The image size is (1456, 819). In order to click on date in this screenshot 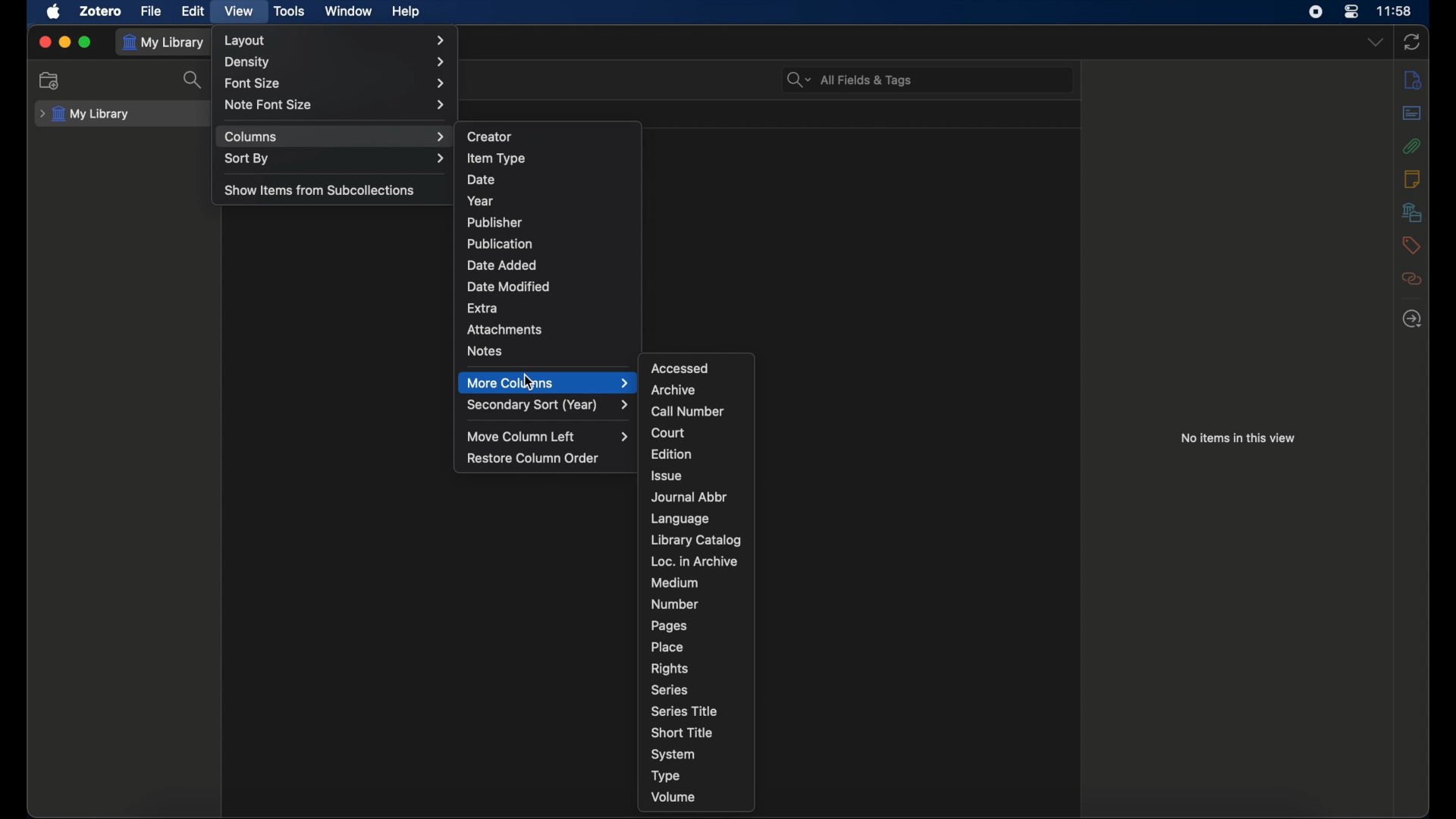, I will do `click(479, 180)`.